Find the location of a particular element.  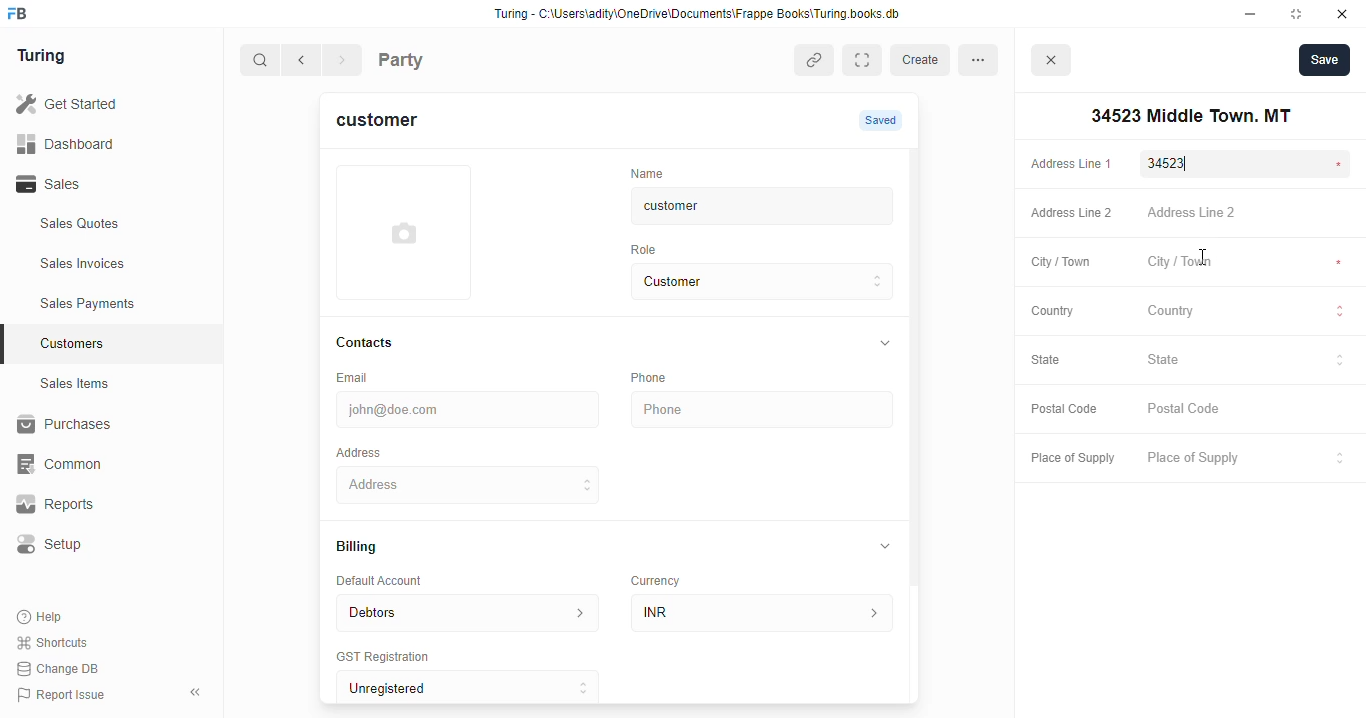

‘GST Registration is located at coordinates (390, 658).